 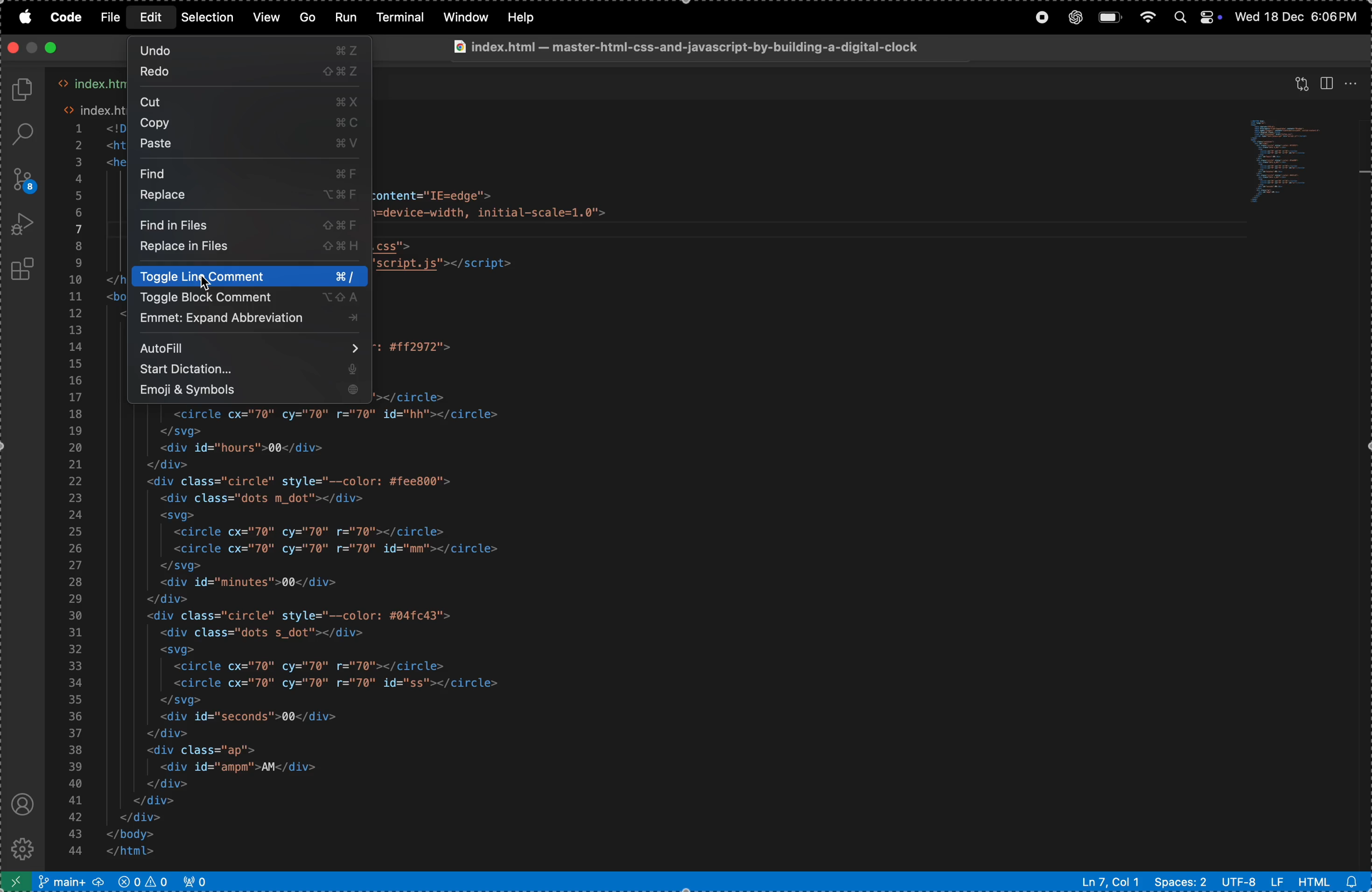 I want to click on undo, so click(x=249, y=50).